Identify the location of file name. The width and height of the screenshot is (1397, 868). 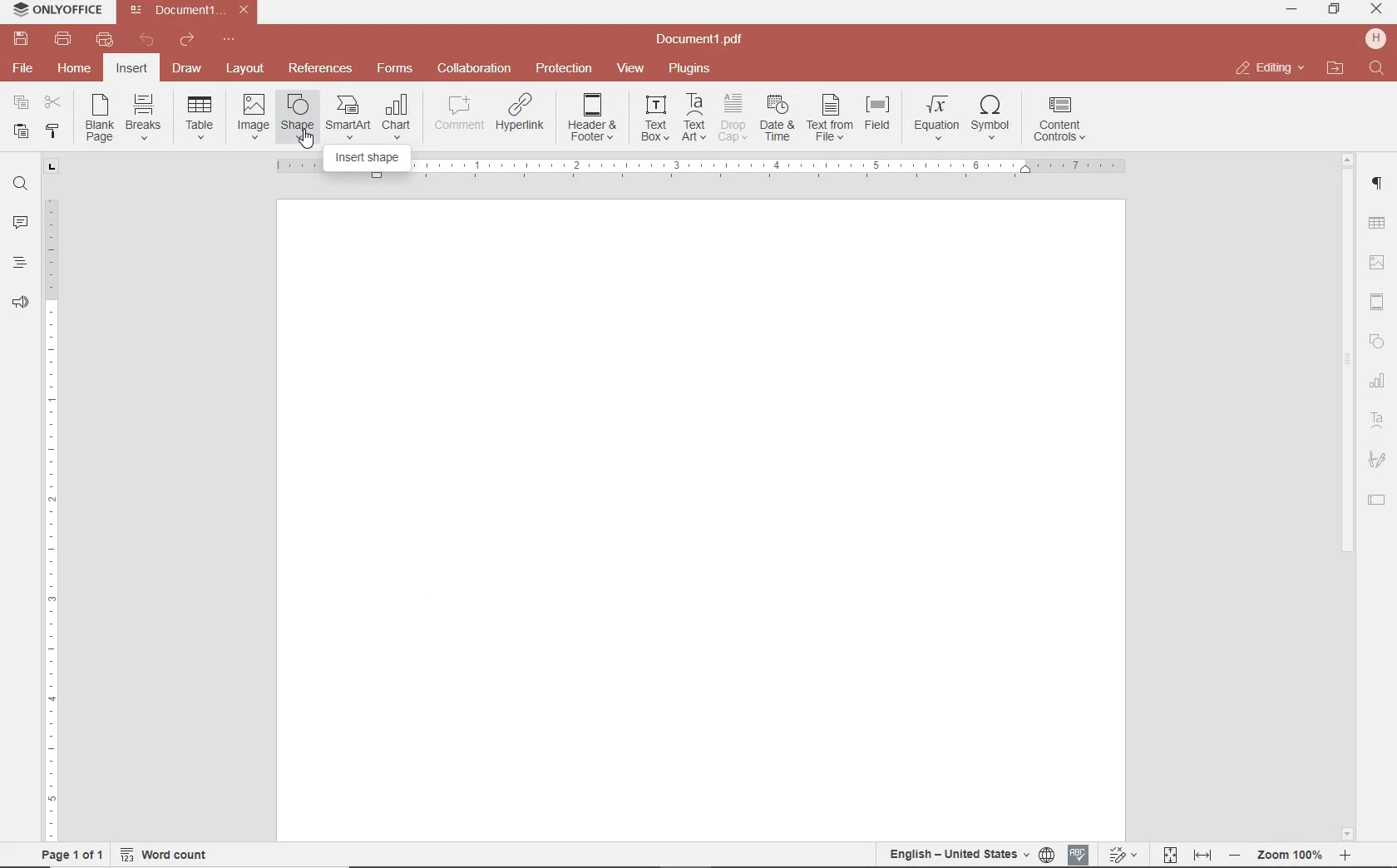
(704, 40).